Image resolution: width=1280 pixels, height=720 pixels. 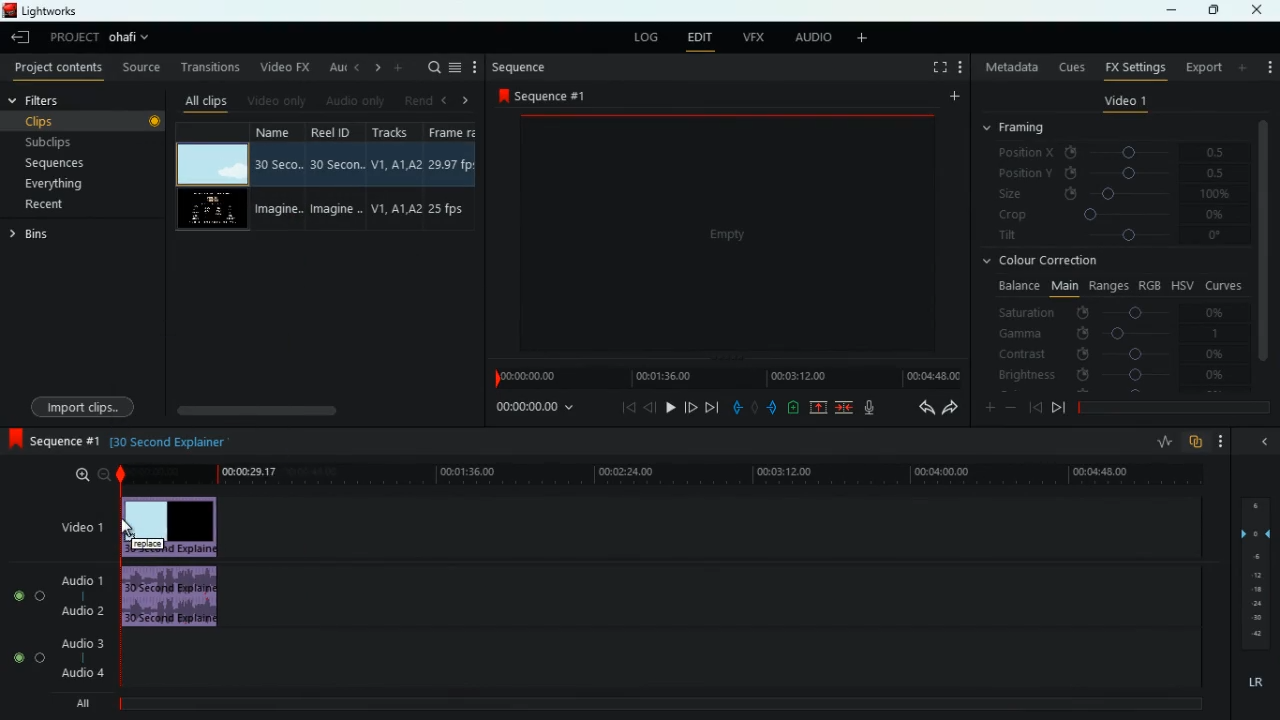 I want to click on more, so click(x=990, y=406).